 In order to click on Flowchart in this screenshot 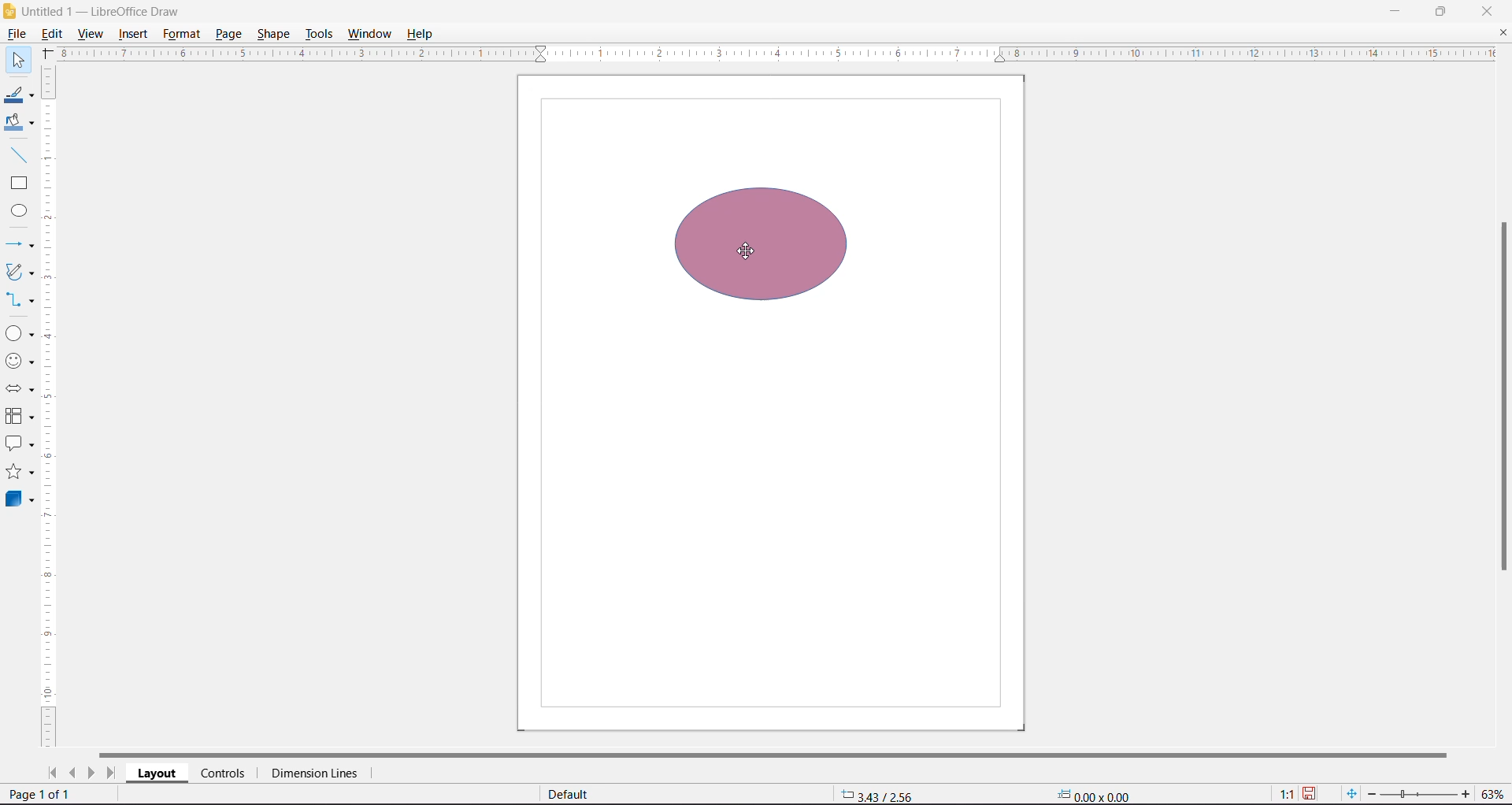, I will do `click(20, 416)`.